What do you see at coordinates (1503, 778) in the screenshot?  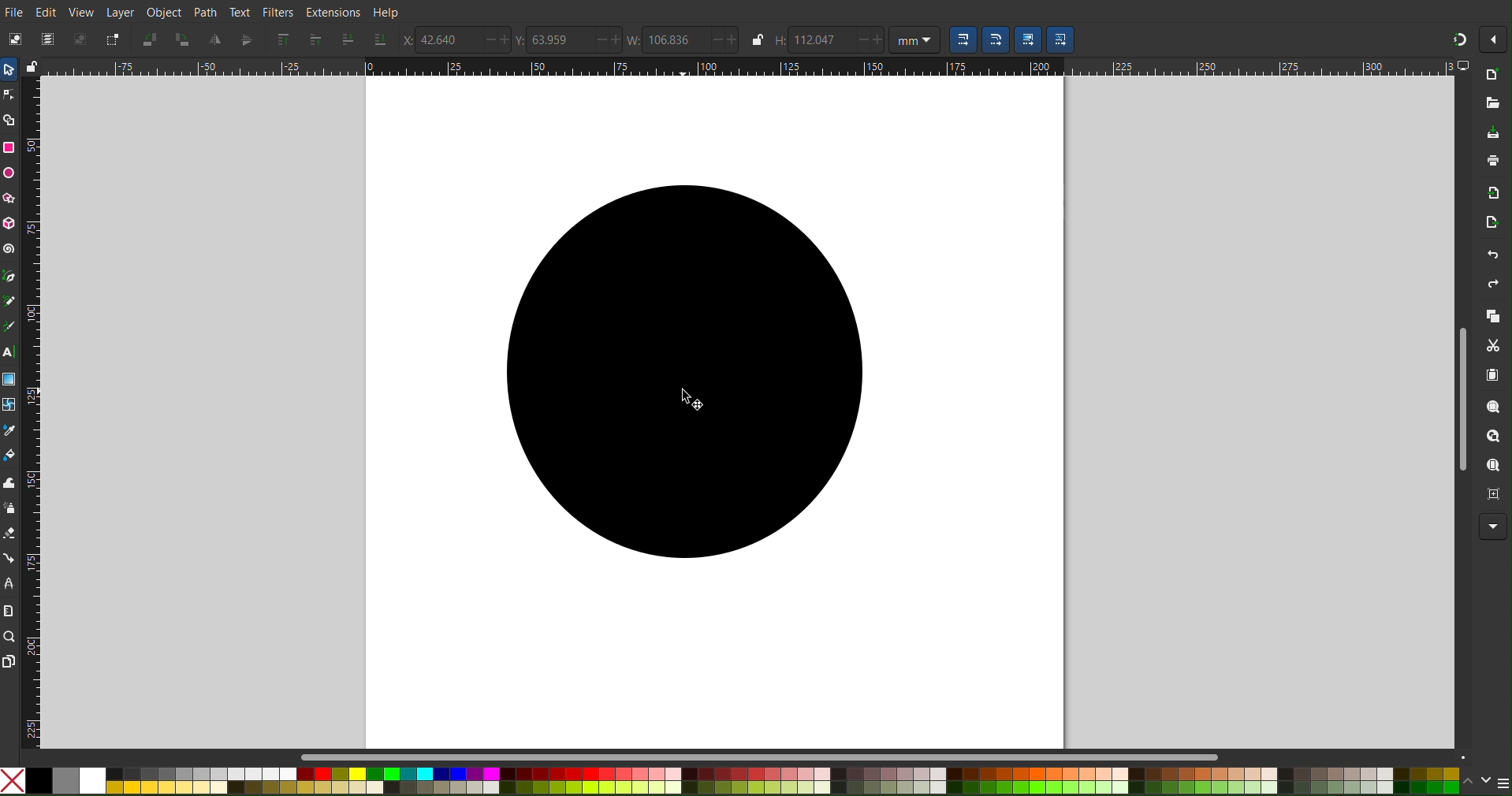 I see `menu` at bounding box center [1503, 778].